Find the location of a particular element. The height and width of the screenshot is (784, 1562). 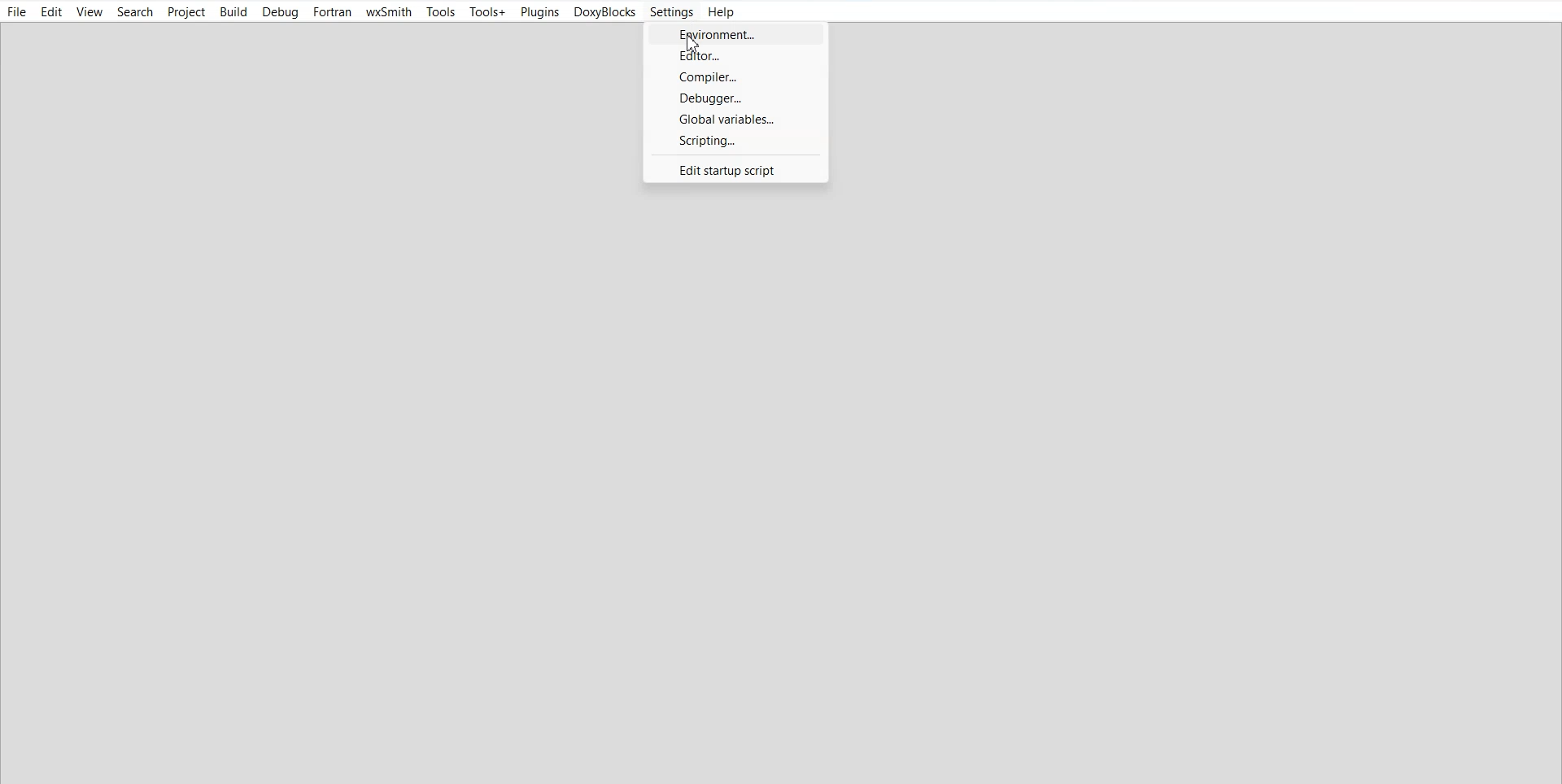

Compiler is located at coordinates (737, 76).